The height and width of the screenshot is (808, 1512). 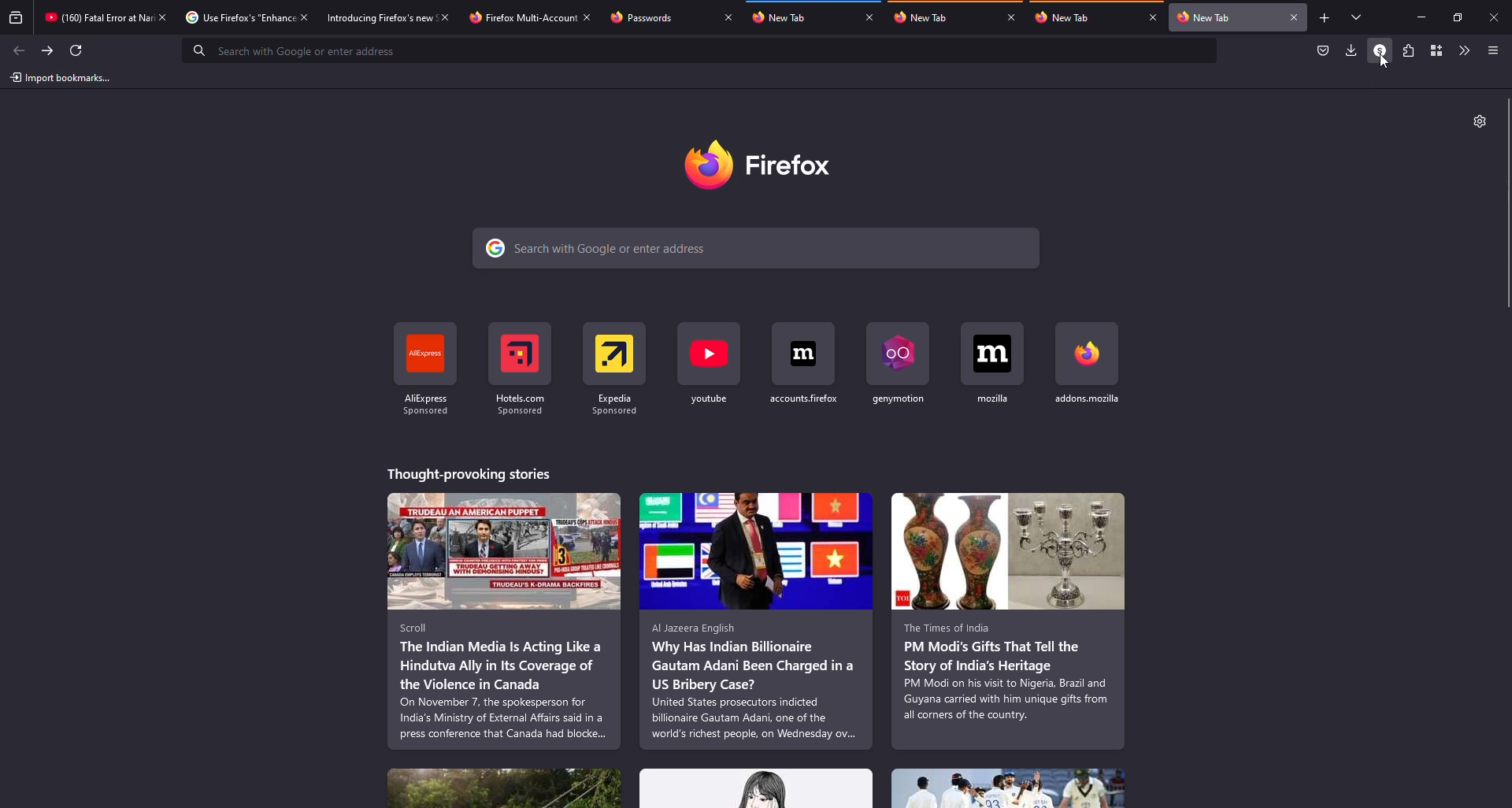 I want to click on tab, so click(x=781, y=17).